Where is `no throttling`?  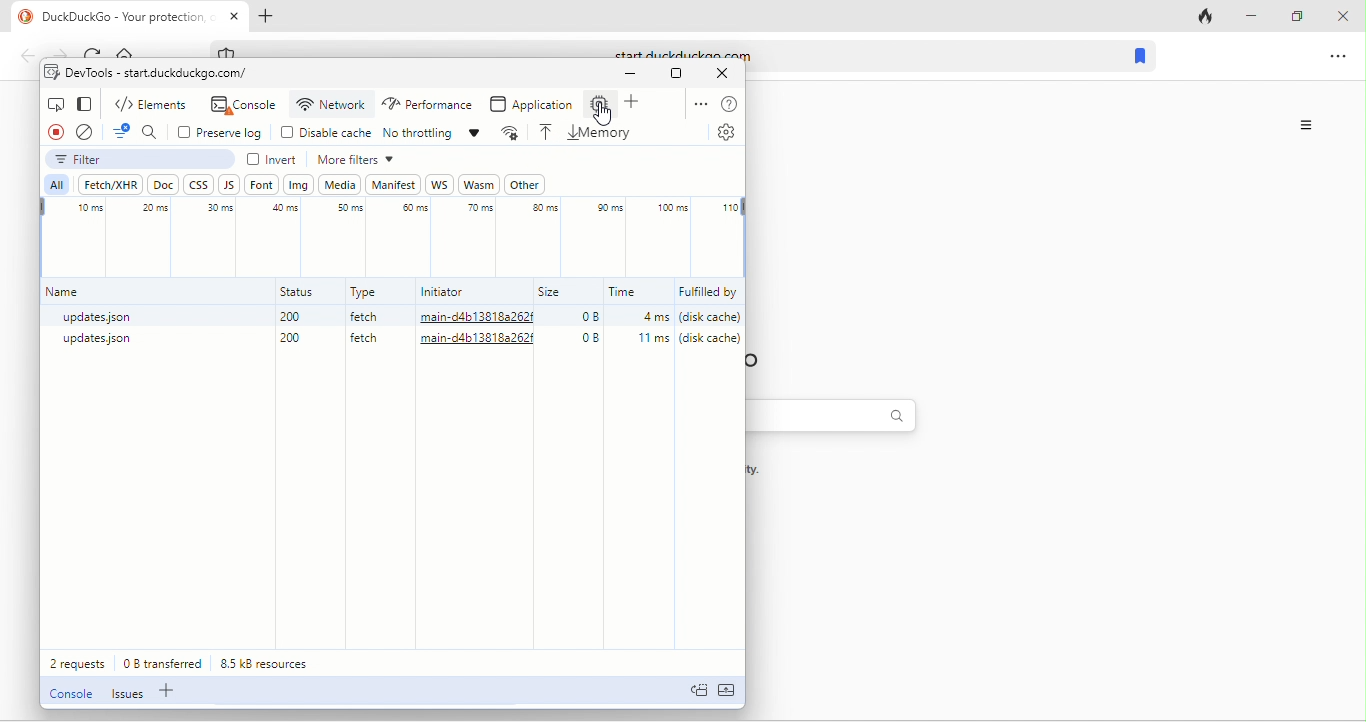 no throttling is located at coordinates (431, 134).